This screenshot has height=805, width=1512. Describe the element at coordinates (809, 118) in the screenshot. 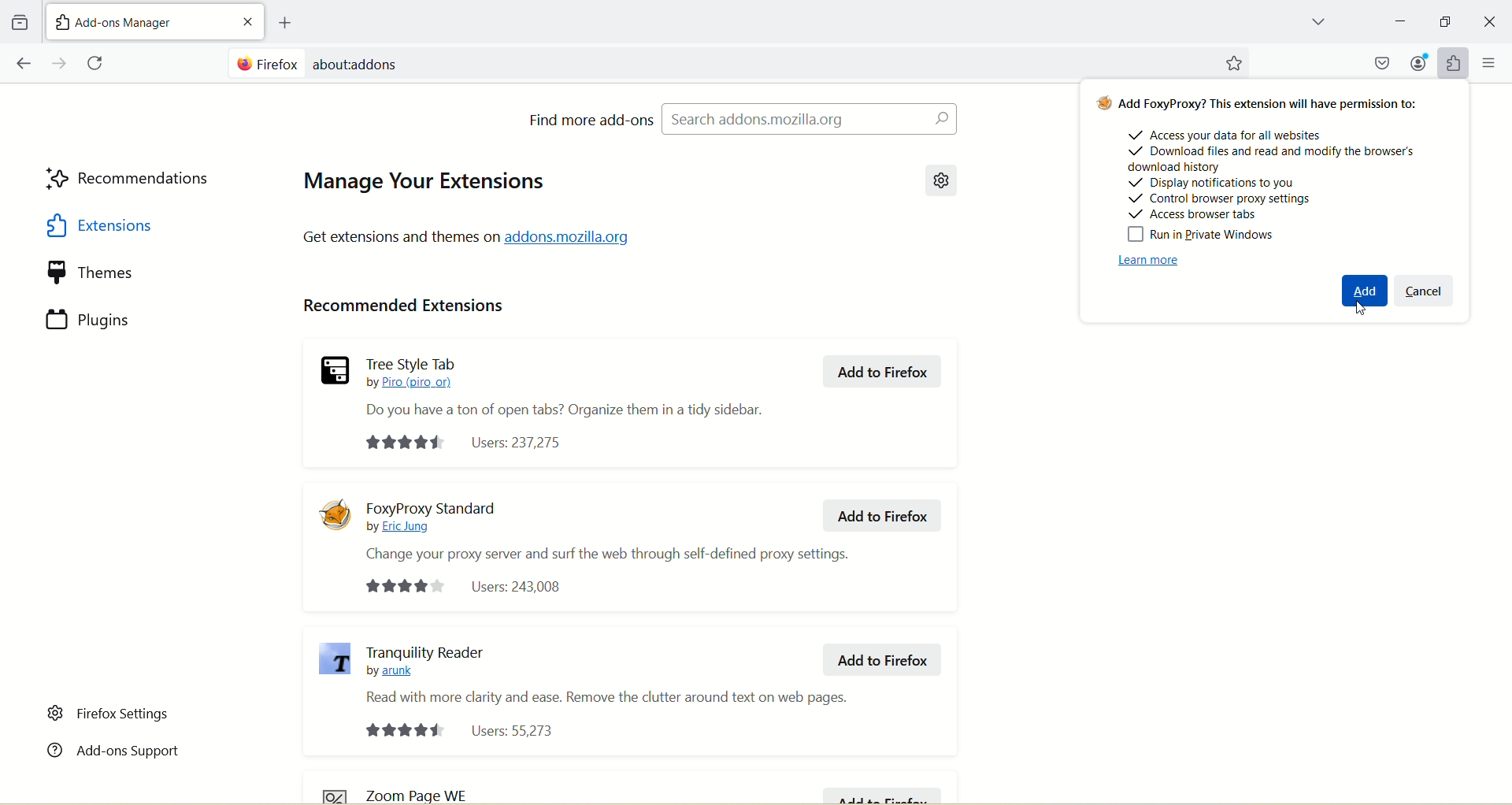

I see `Search Addons.Mozilla.org` at that location.